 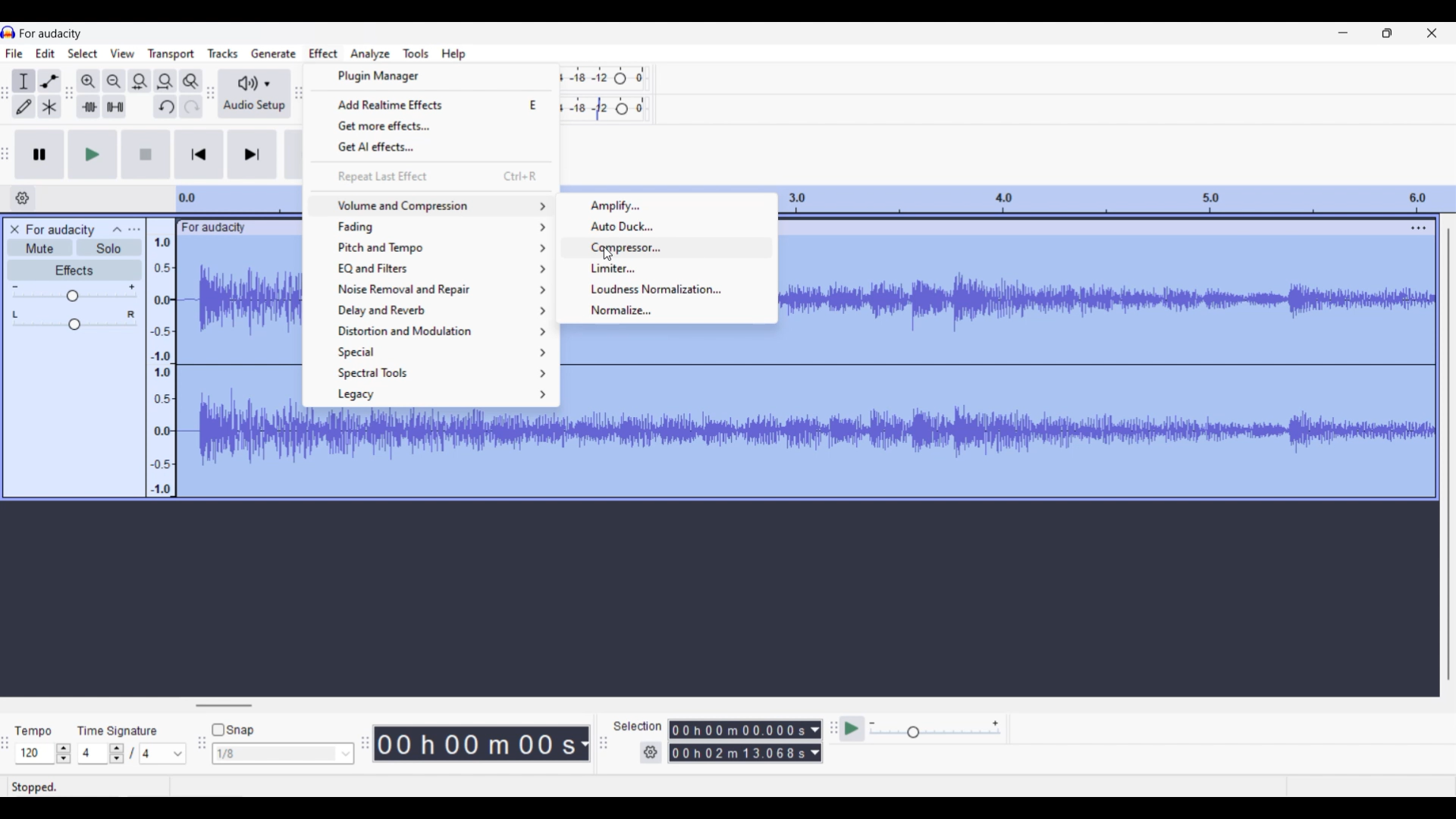 I want to click on Normalize, so click(x=667, y=311).